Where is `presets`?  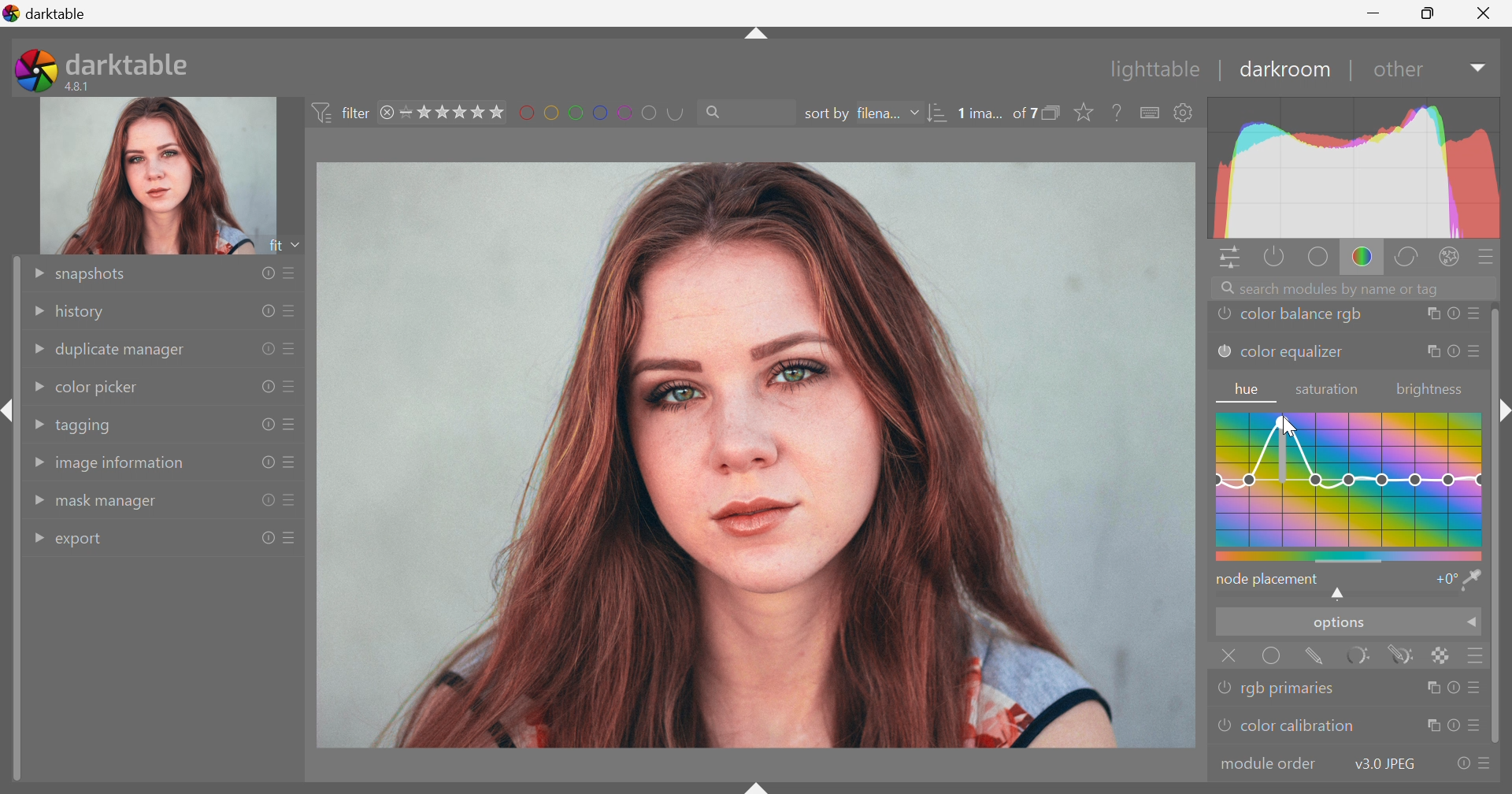 presets is located at coordinates (1475, 314).